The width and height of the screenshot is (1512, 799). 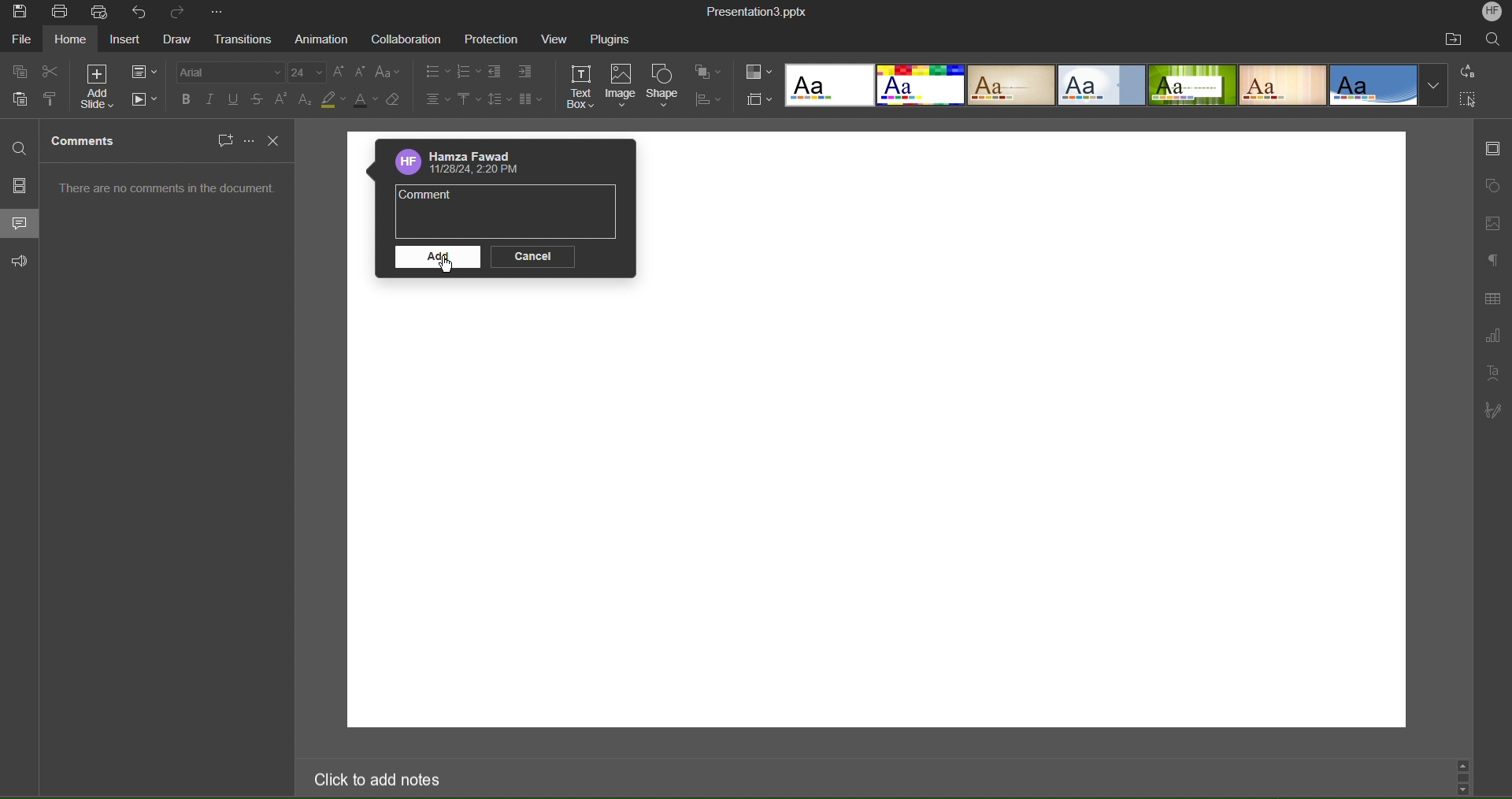 What do you see at coordinates (127, 42) in the screenshot?
I see `Insert` at bounding box center [127, 42].